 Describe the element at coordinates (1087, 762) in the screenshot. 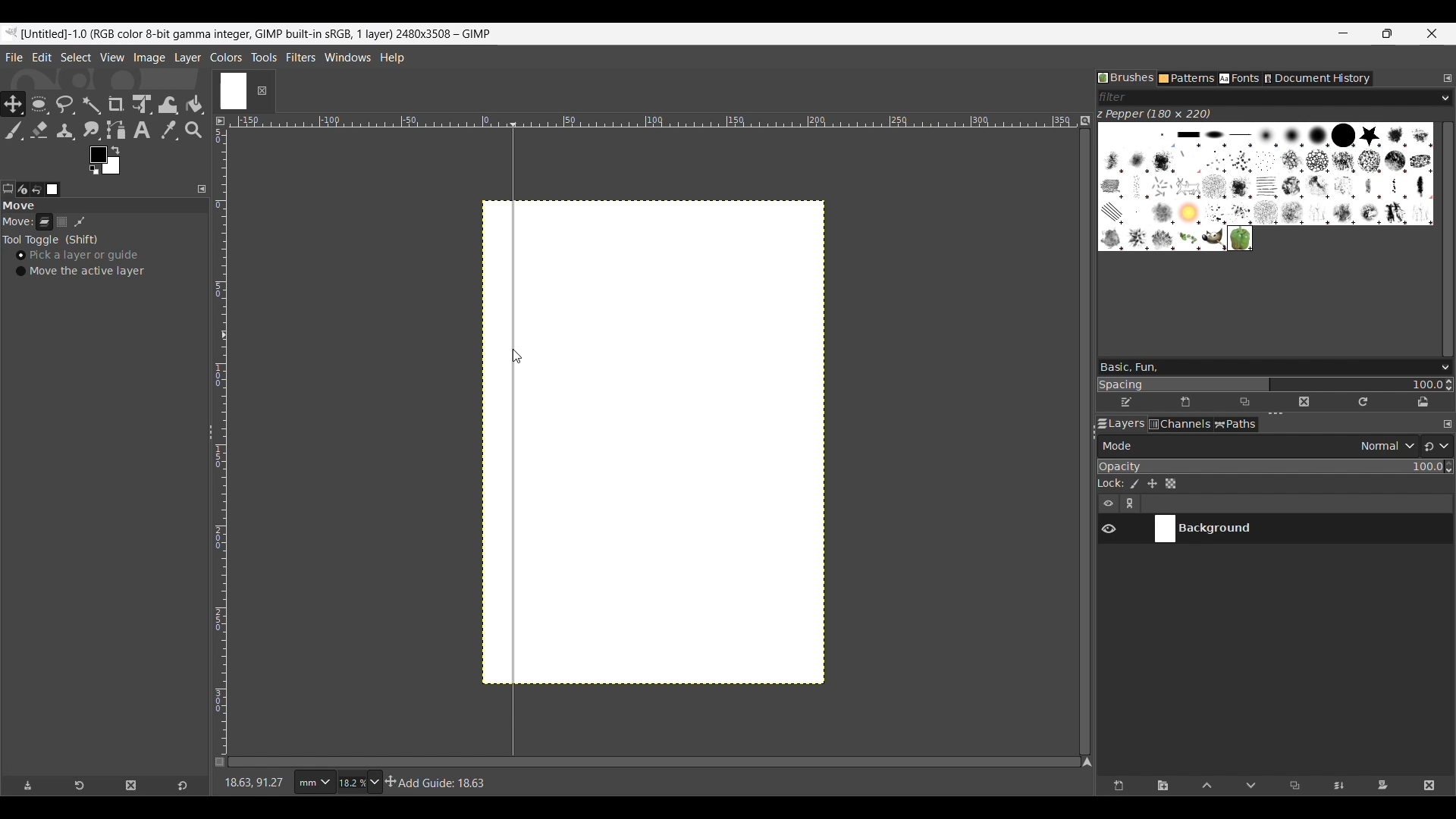

I see `Navigate the image display` at that location.